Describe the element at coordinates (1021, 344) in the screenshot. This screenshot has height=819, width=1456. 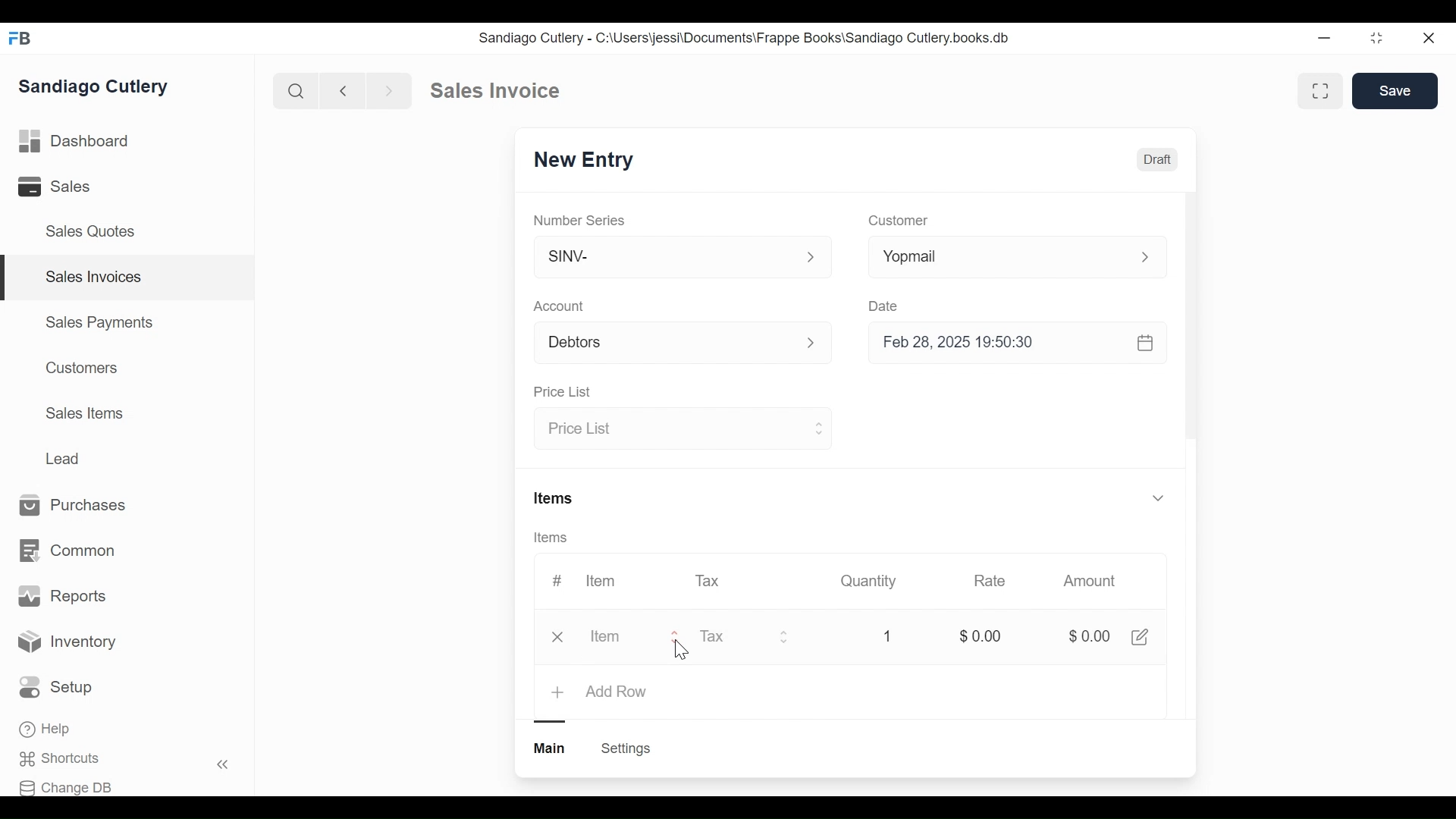
I see `Feb 28, 2025 19:50:30 &` at that location.